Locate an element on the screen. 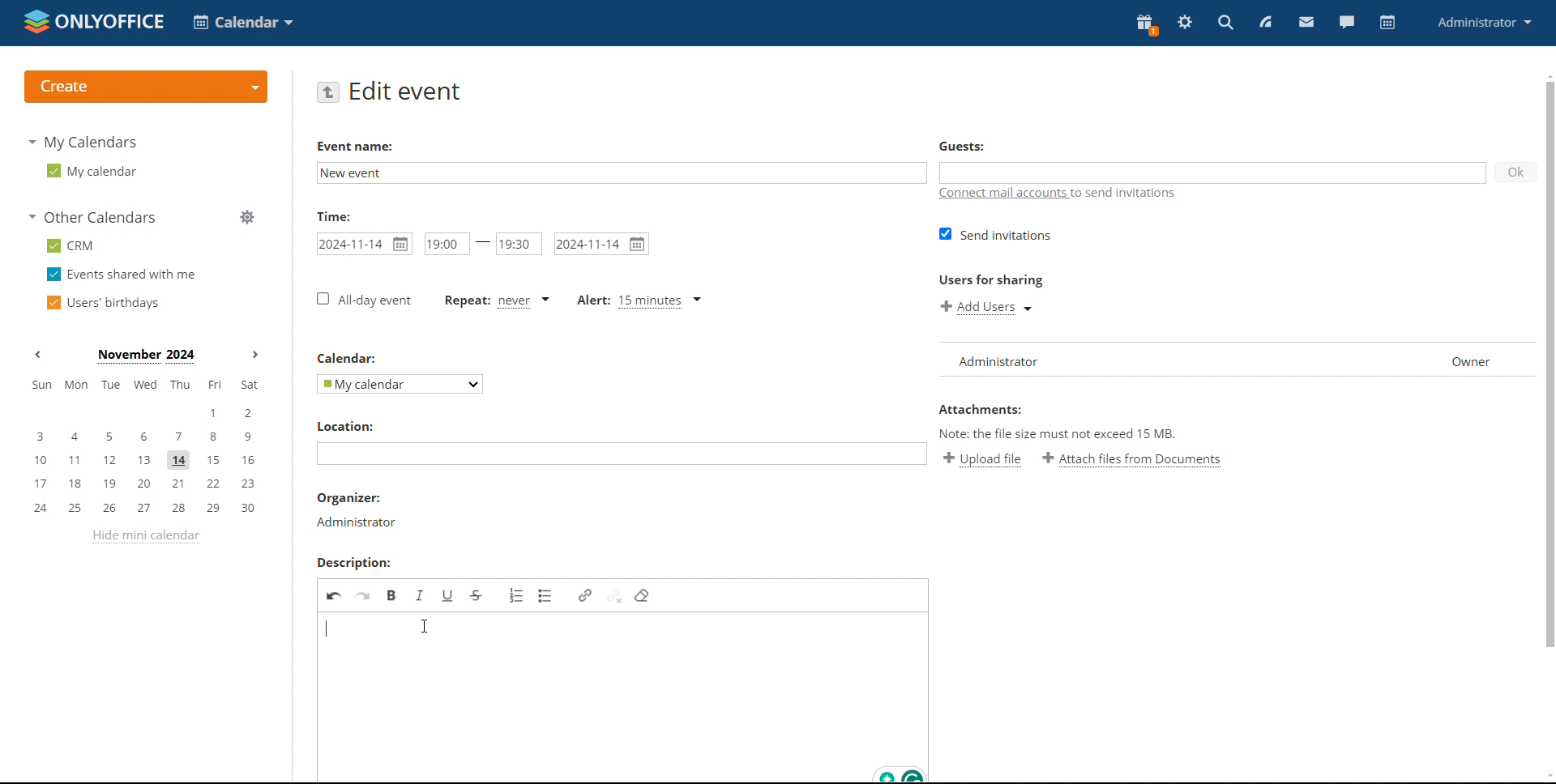 Image resolution: width=1556 pixels, height=784 pixels. italic is located at coordinates (421, 594).